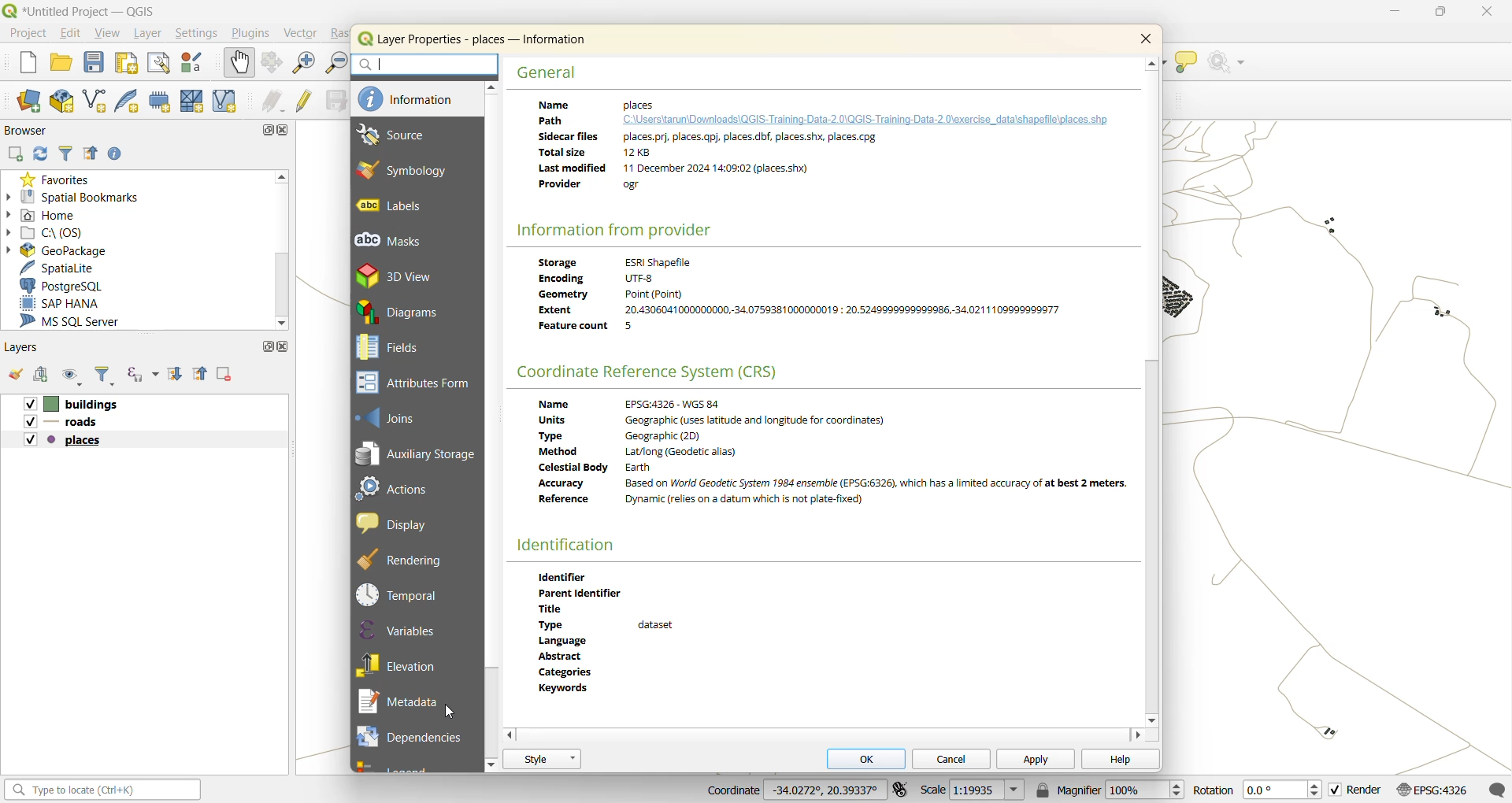 The height and width of the screenshot is (803, 1512). What do you see at coordinates (655, 371) in the screenshot?
I see `crs` at bounding box center [655, 371].